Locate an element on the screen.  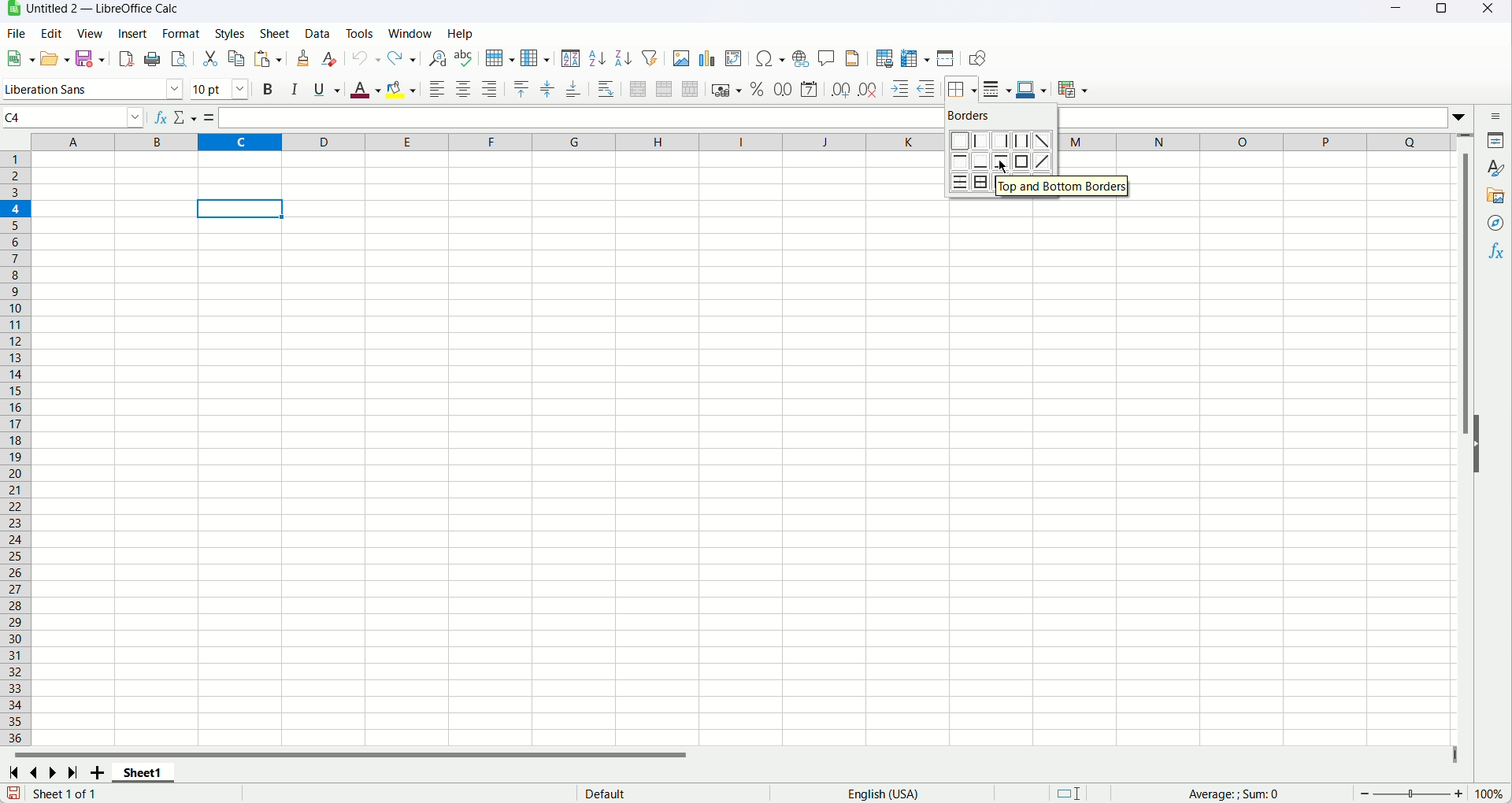
No borders is located at coordinates (960, 141).